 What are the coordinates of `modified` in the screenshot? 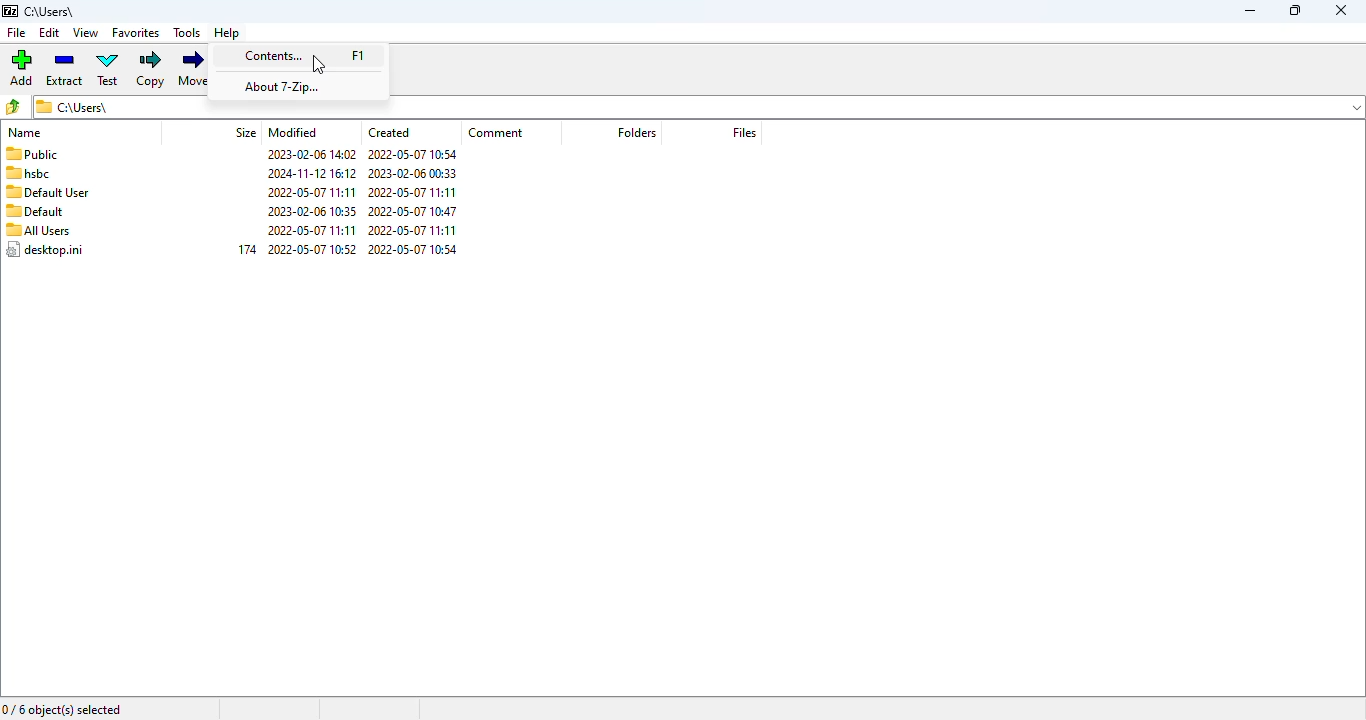 It's located at (293, 132).